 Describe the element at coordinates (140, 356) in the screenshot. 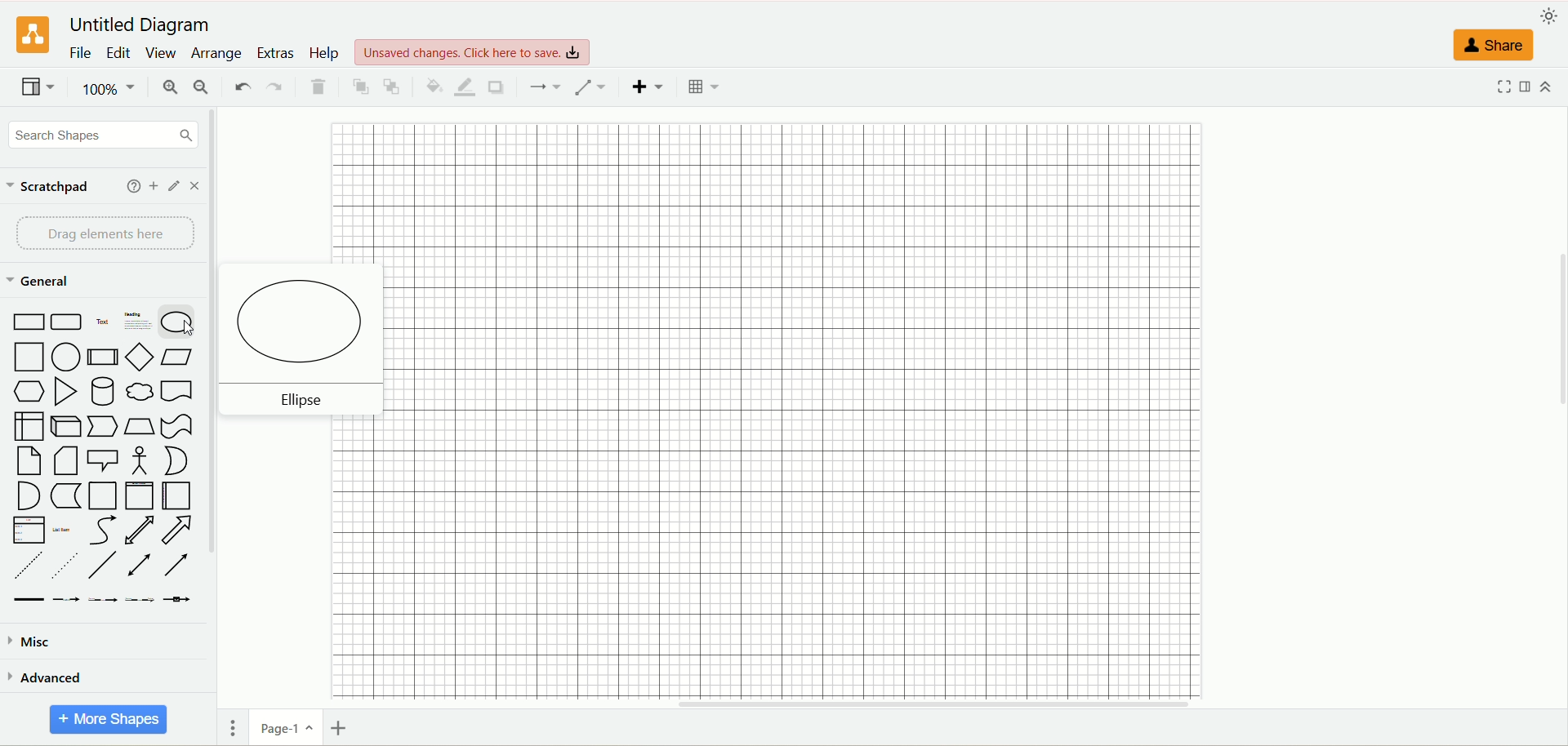

I see `diamond` at that location.